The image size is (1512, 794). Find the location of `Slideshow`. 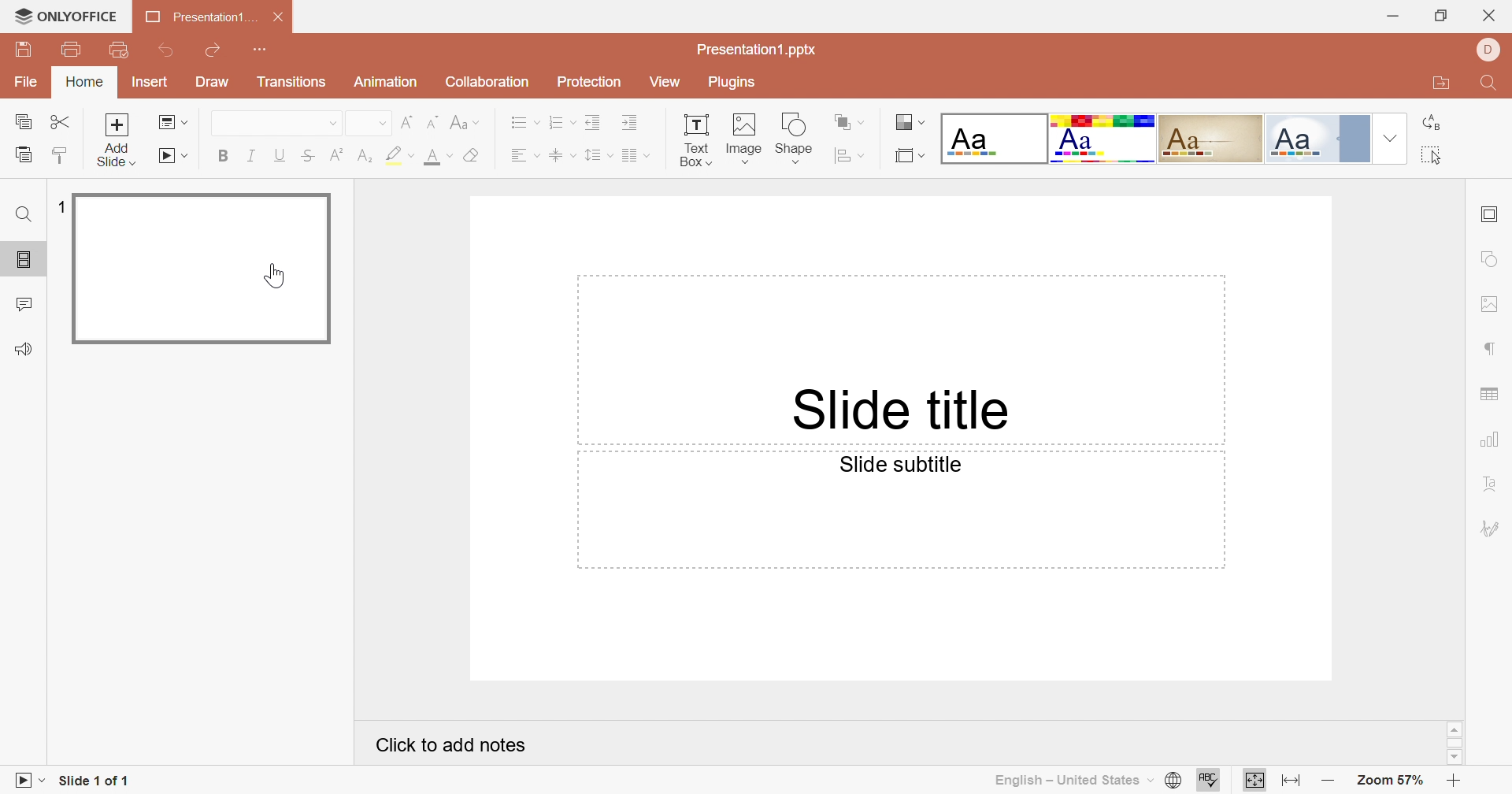

Slideshow is located at coordinates (22, 781).